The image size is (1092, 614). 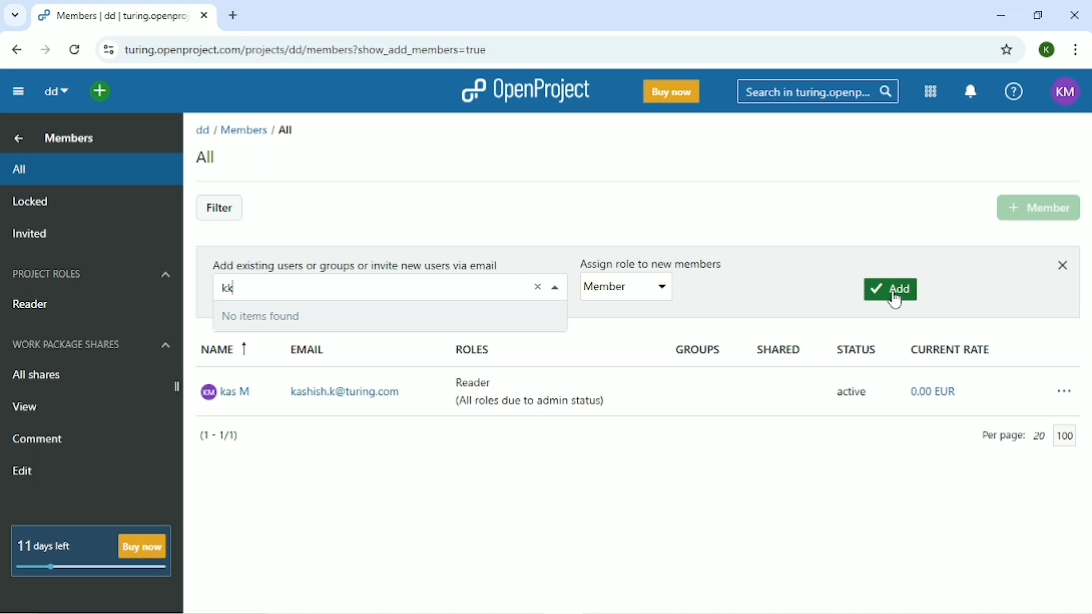 I want to click on remove text, so click(x=535, y=286).